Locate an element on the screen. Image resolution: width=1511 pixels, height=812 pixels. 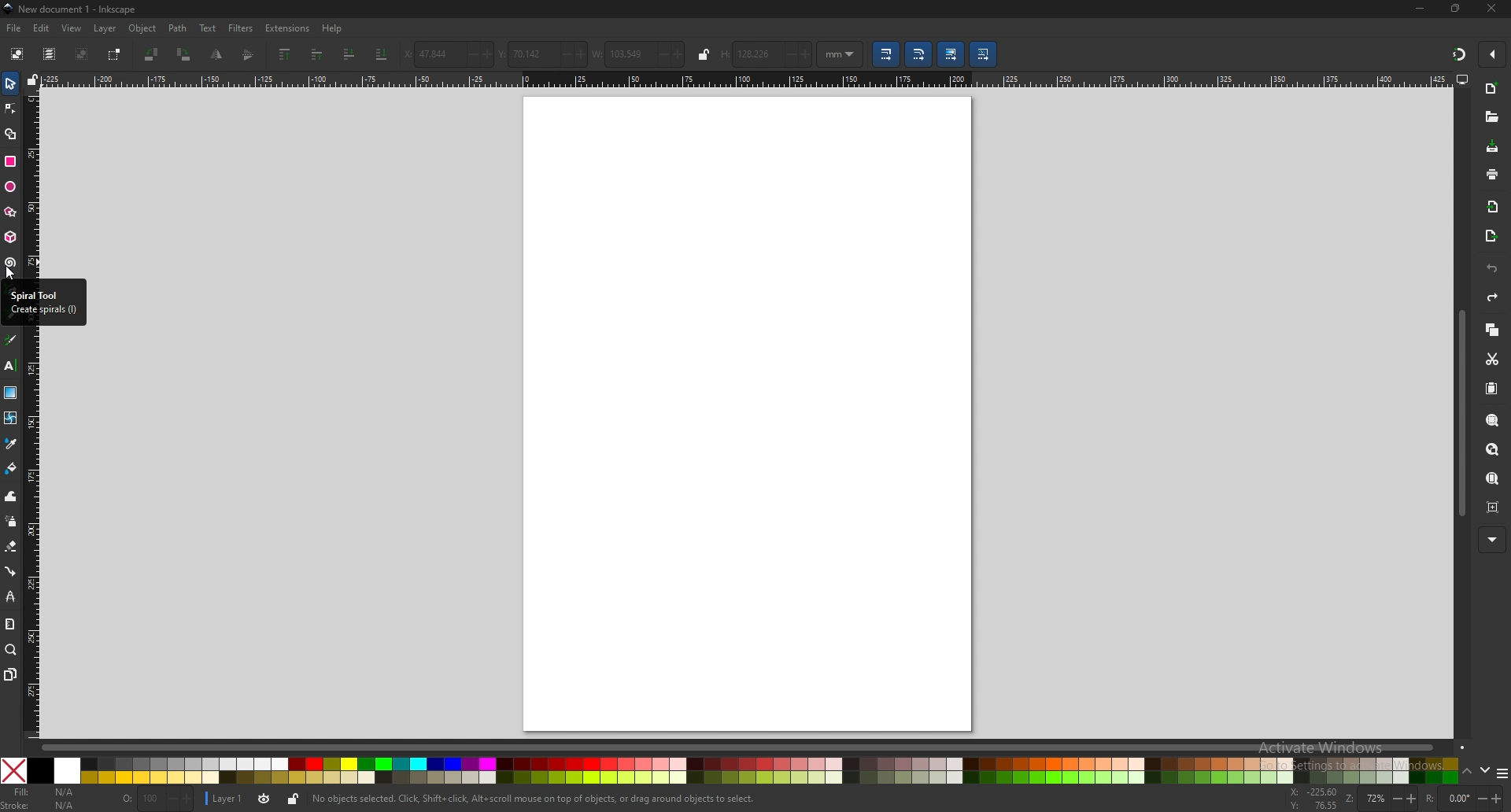
Z: 72% is located at coordinates (1381, 799).